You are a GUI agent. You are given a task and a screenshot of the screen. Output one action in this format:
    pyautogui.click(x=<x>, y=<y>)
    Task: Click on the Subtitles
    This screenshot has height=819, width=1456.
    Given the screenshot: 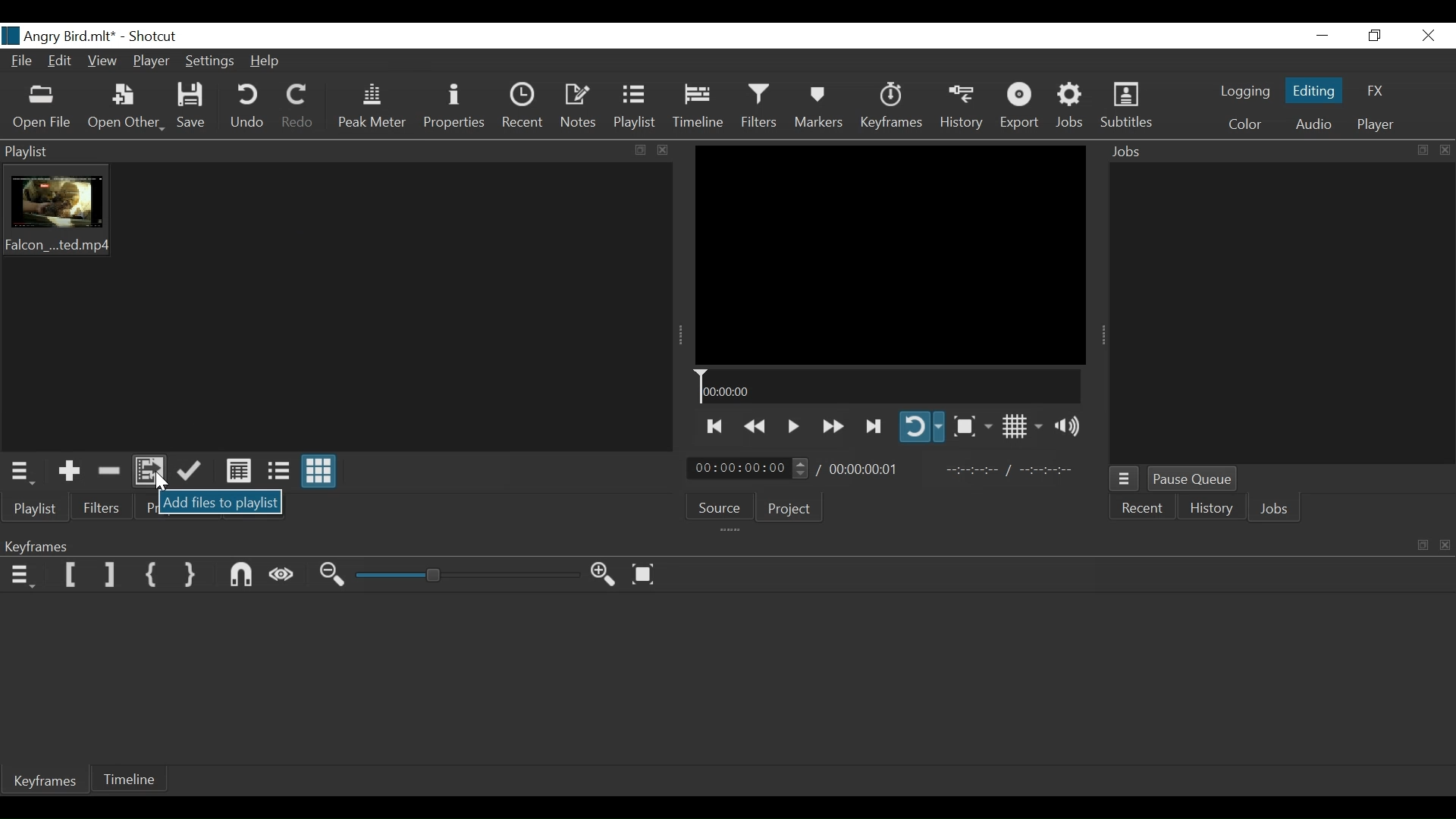 What is the action you would take?
    pyautogui.click(x=1130, y=105)
    